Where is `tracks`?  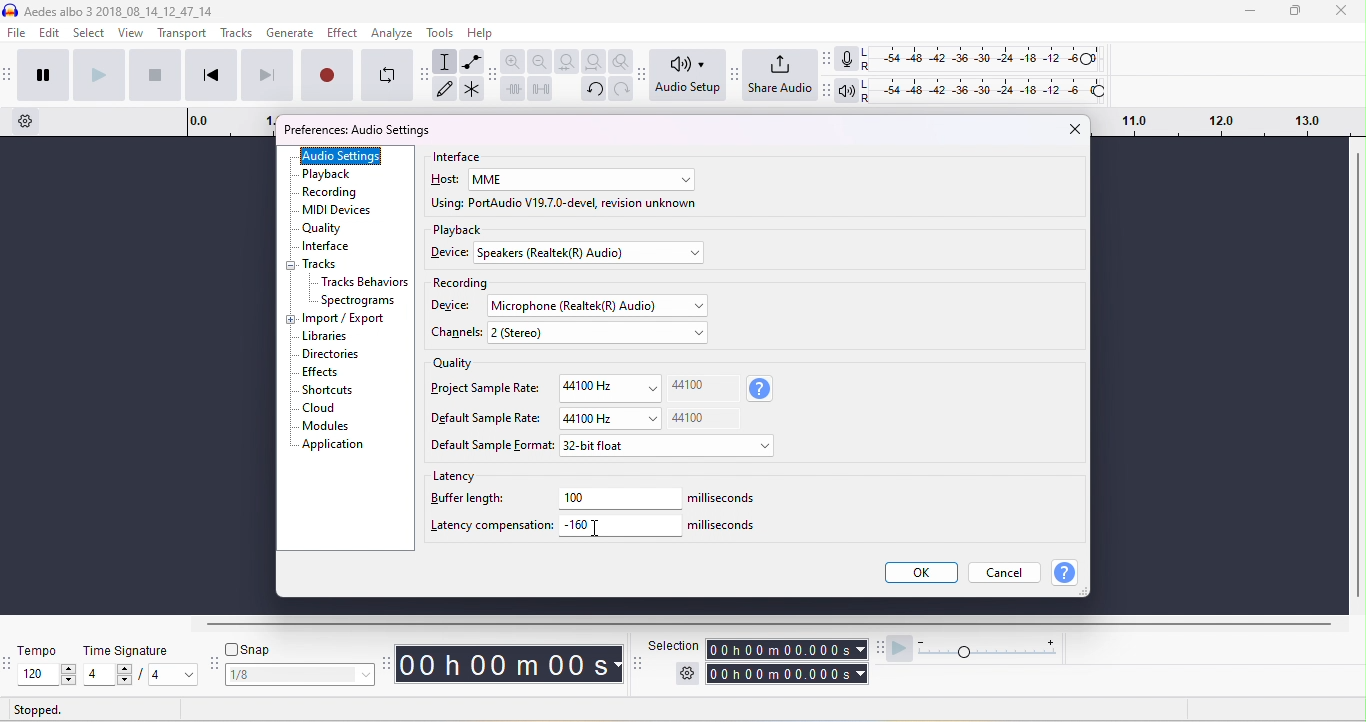 tracks is located at coordinates (236, 33).